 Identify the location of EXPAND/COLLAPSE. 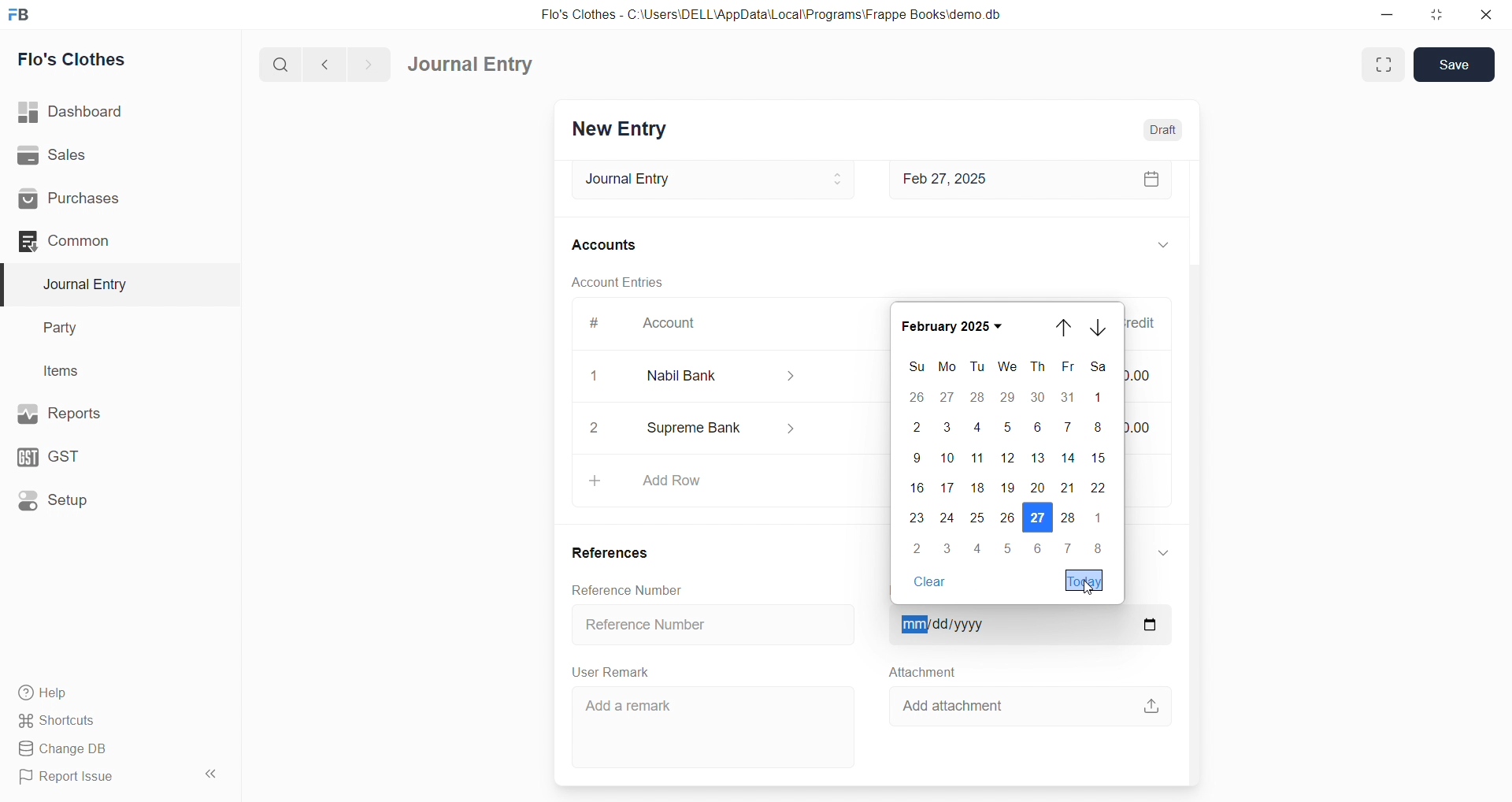
(1162, 247).